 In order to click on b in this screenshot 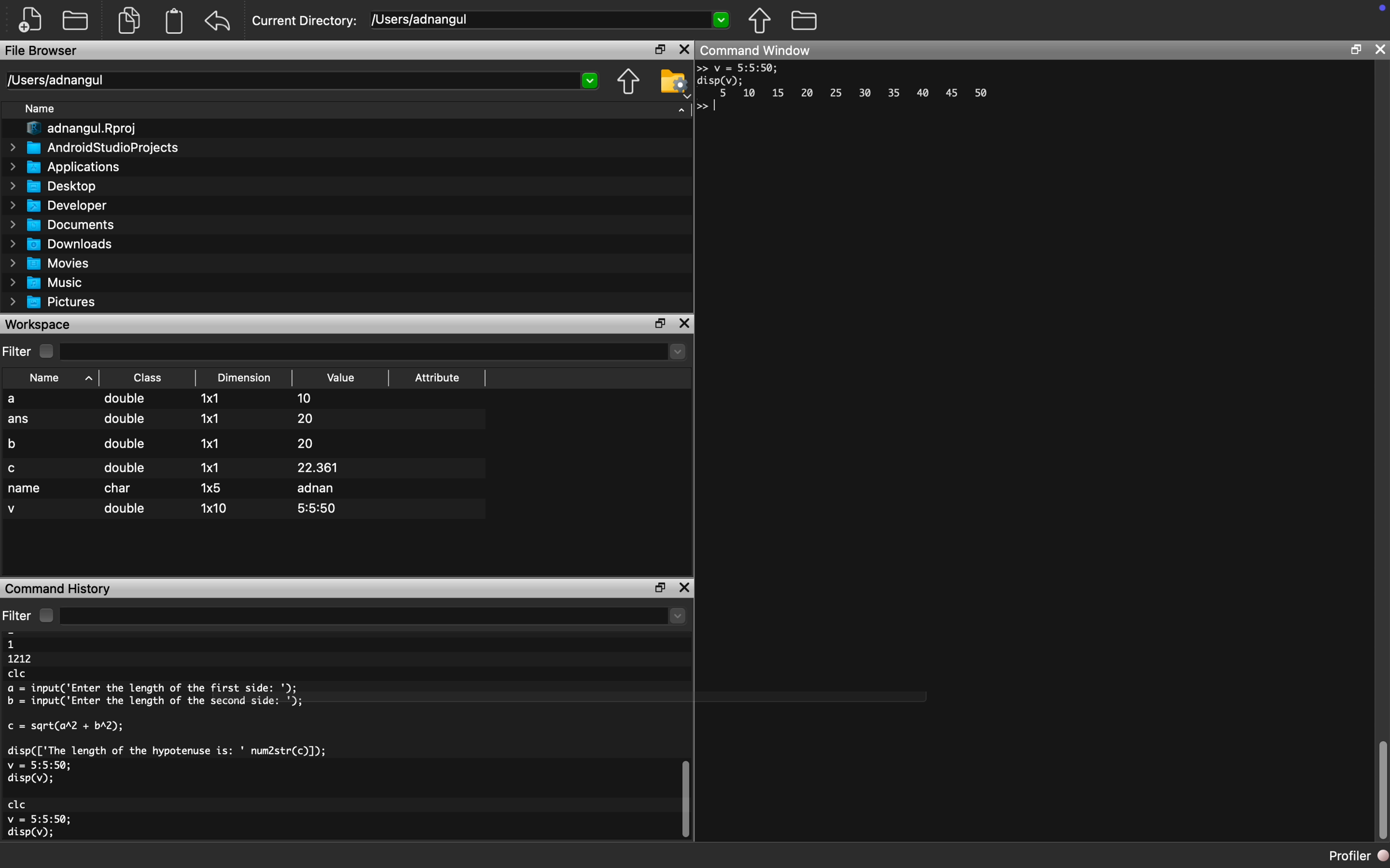, I will do `click(14, 445)`.